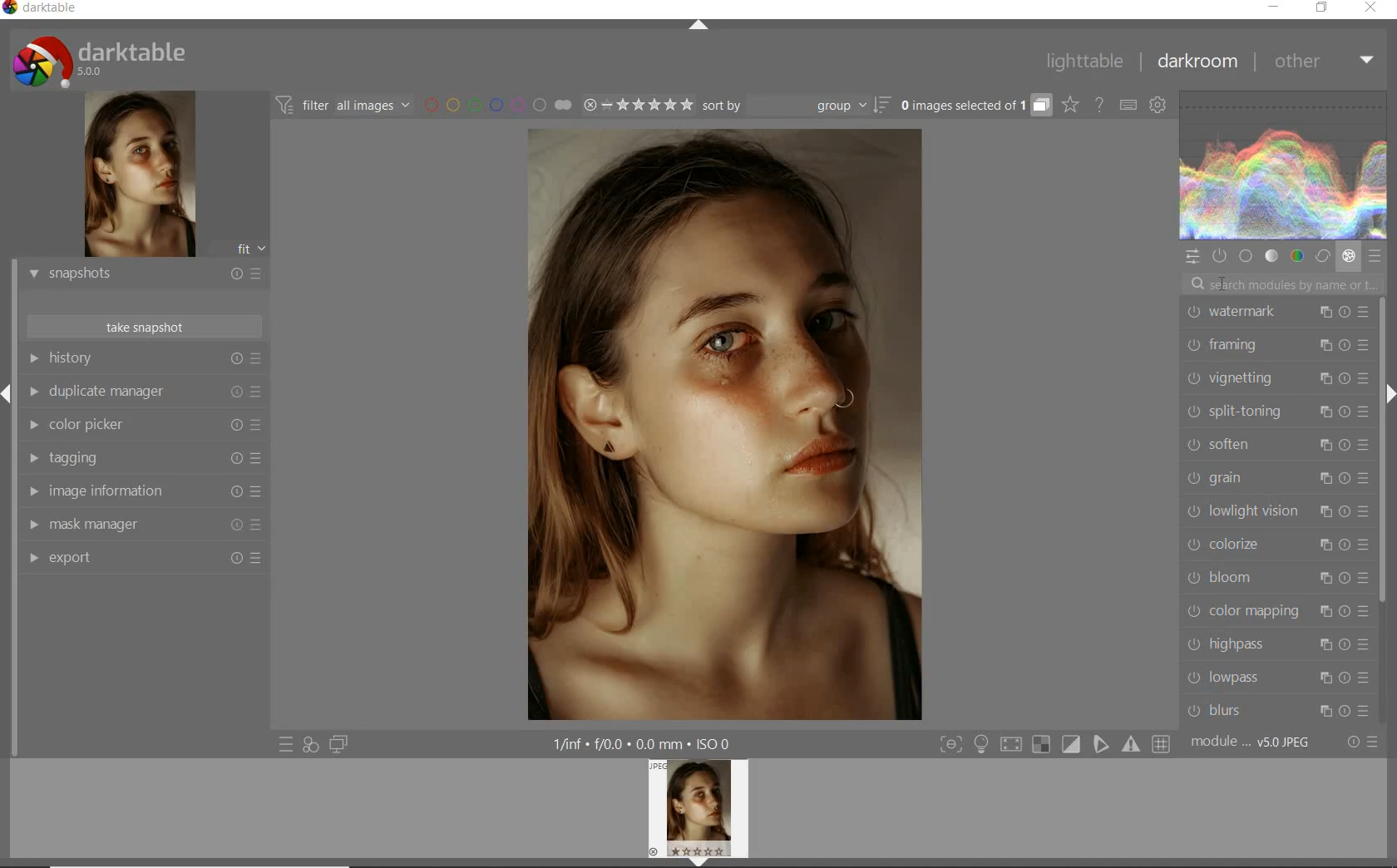  I want to click on WAVEFORM, so click(1283, 165).